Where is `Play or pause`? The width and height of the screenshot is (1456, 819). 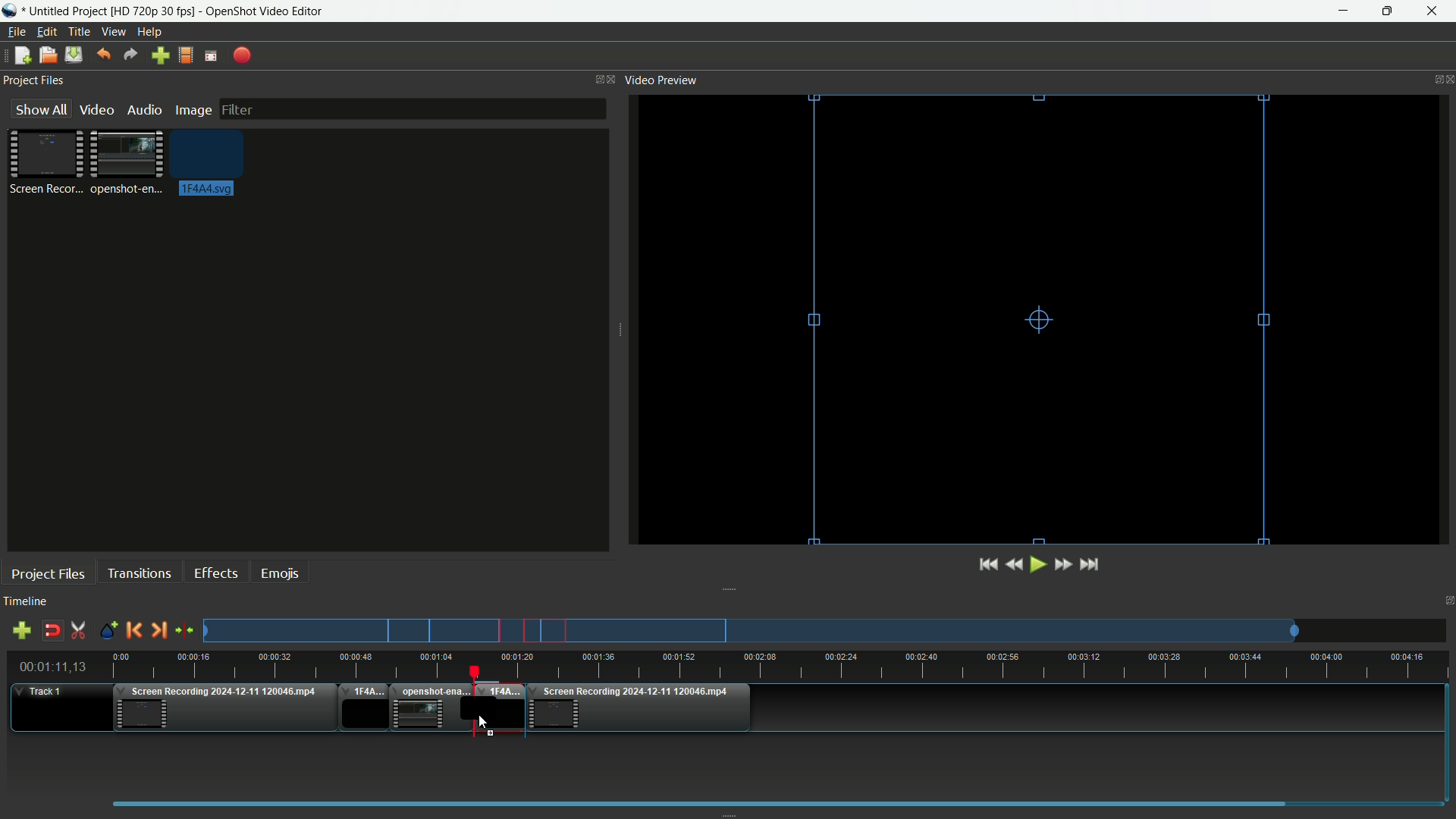 Play or pause is located at coordinates (1040, 565).